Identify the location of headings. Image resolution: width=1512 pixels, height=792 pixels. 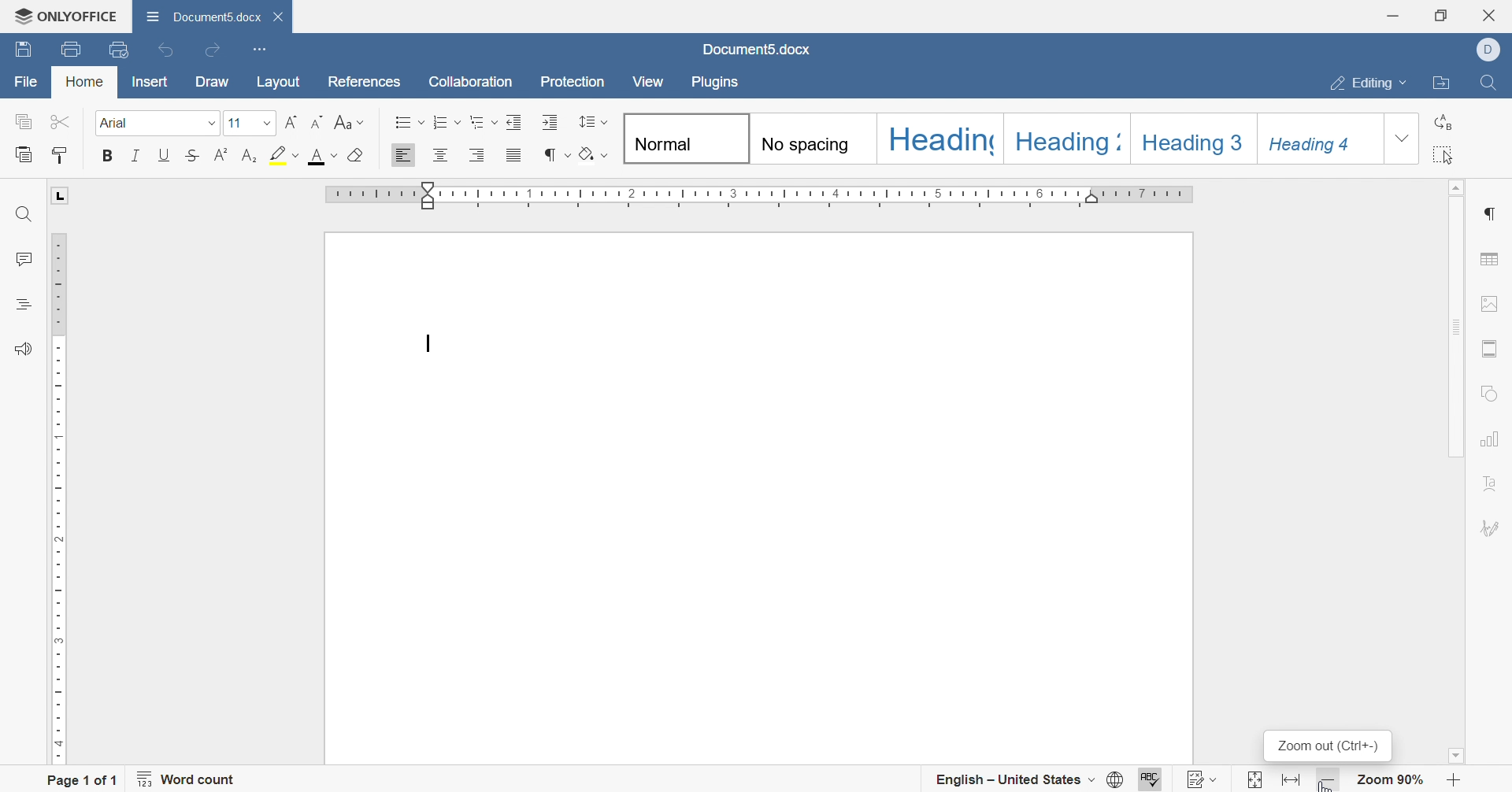
(26, 309).